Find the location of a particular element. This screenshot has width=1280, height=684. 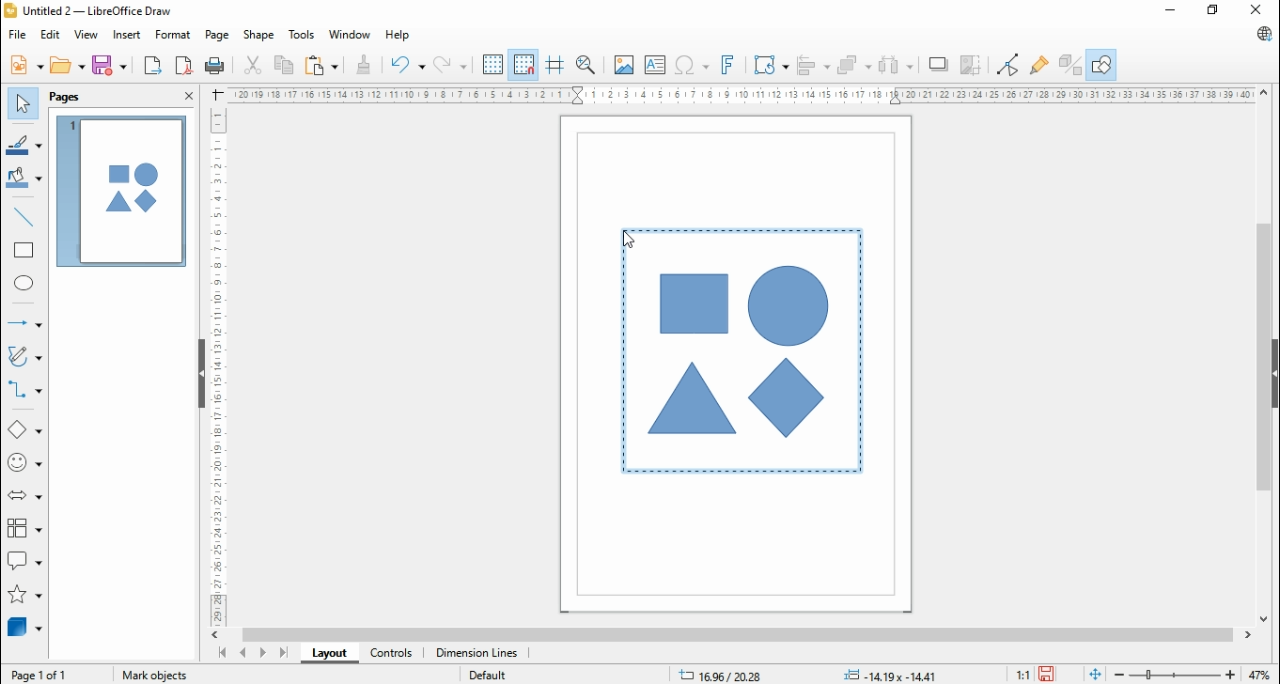

pages is located at coordinates (67, 97).